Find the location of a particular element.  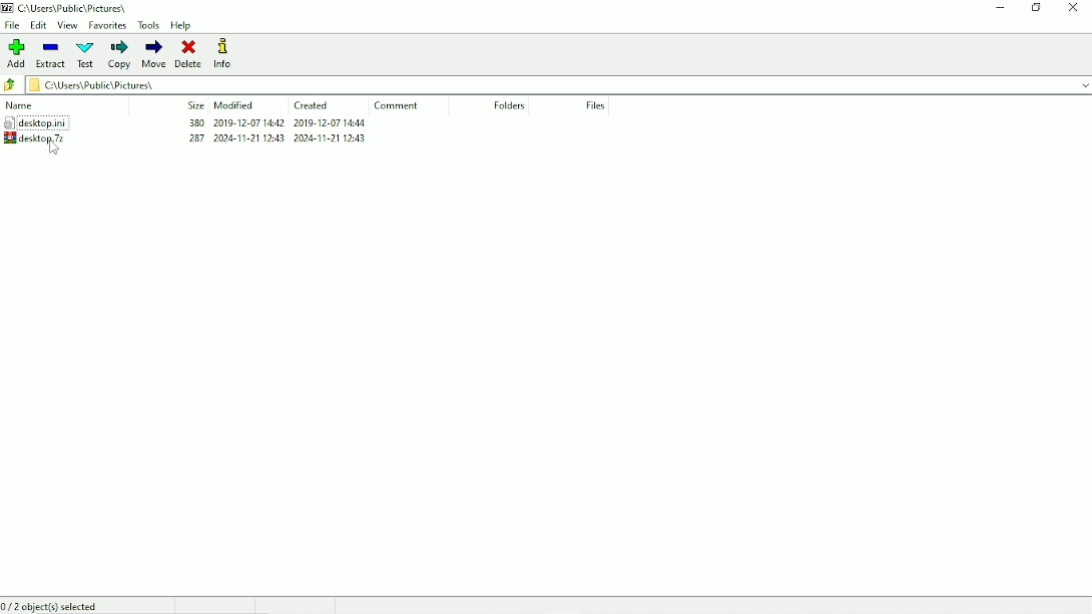

 2008-11-21 1243 is located at coordinates (246, 138).